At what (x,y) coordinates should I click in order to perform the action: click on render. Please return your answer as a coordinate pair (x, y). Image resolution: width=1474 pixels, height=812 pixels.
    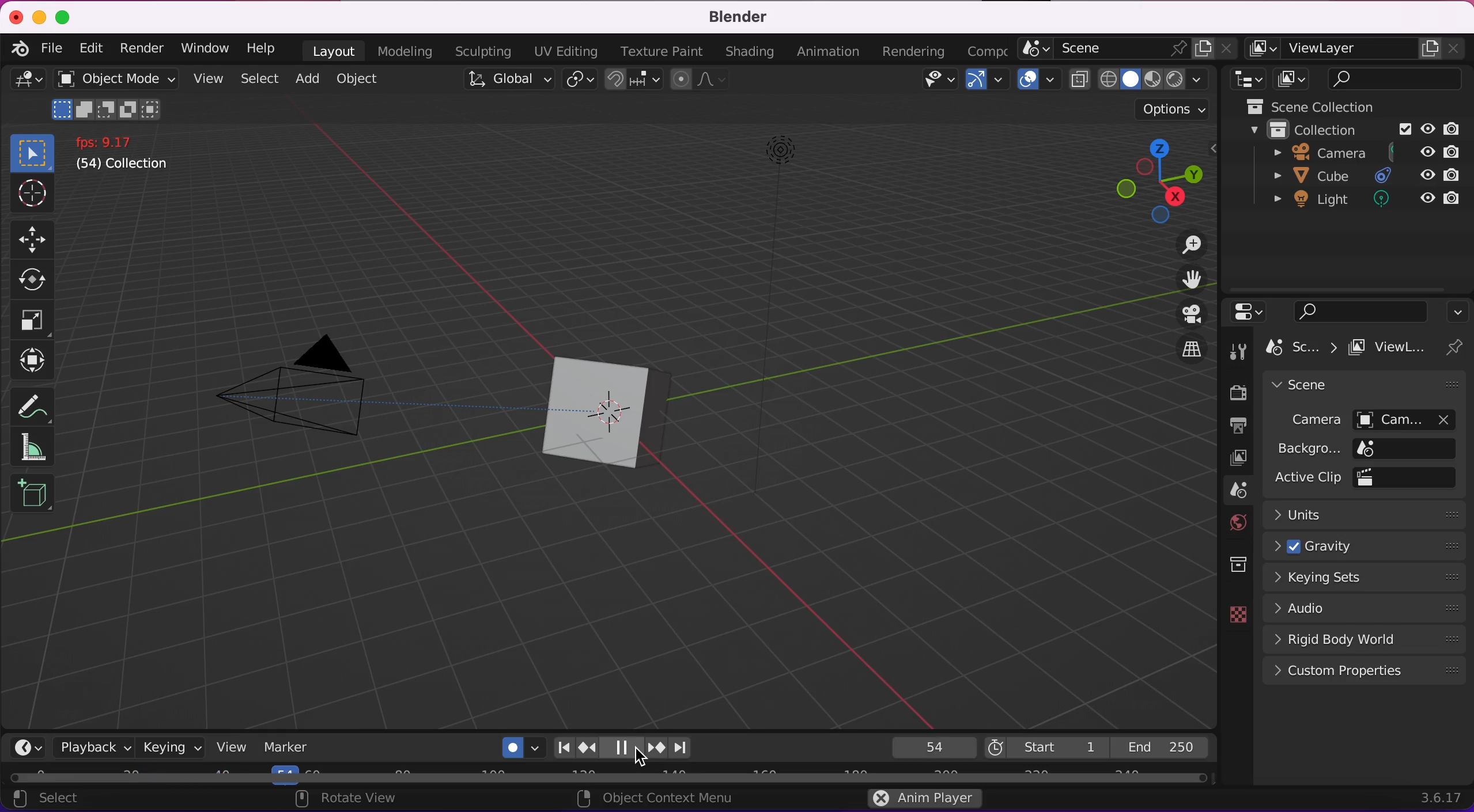
    Looking at the image, I should click on (138, 50).